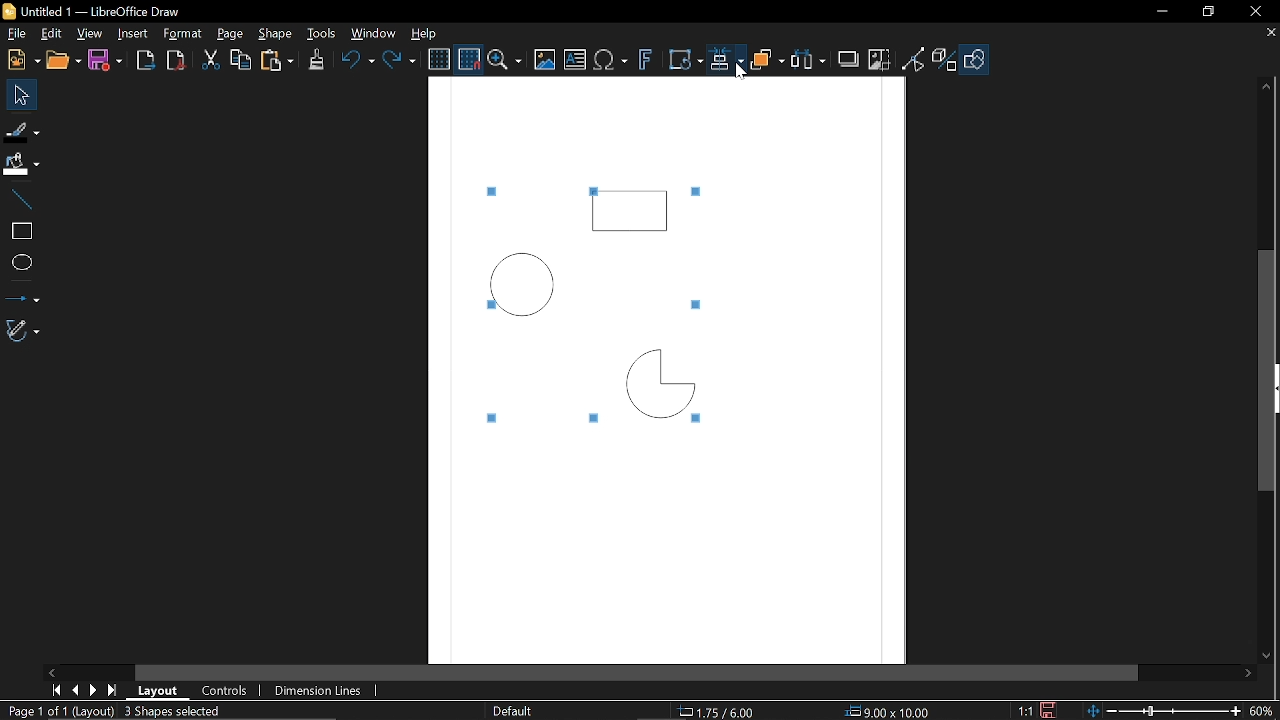 The height and width of the screenshot is (720, 1280). I want to click on 1:1 (Scaling factor), so click(1026, 710).